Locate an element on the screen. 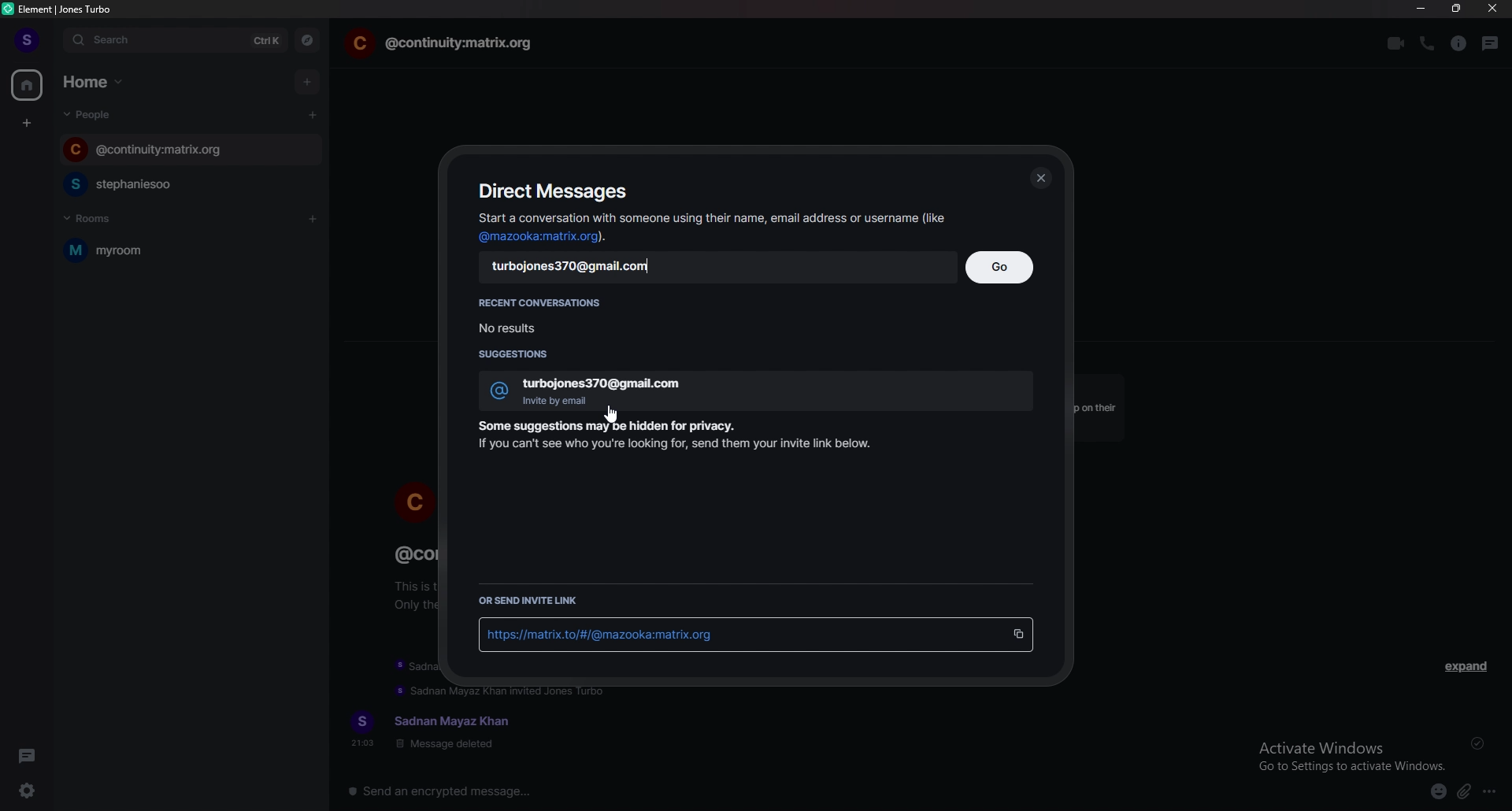  resize is located at coordinates (1458, 9).